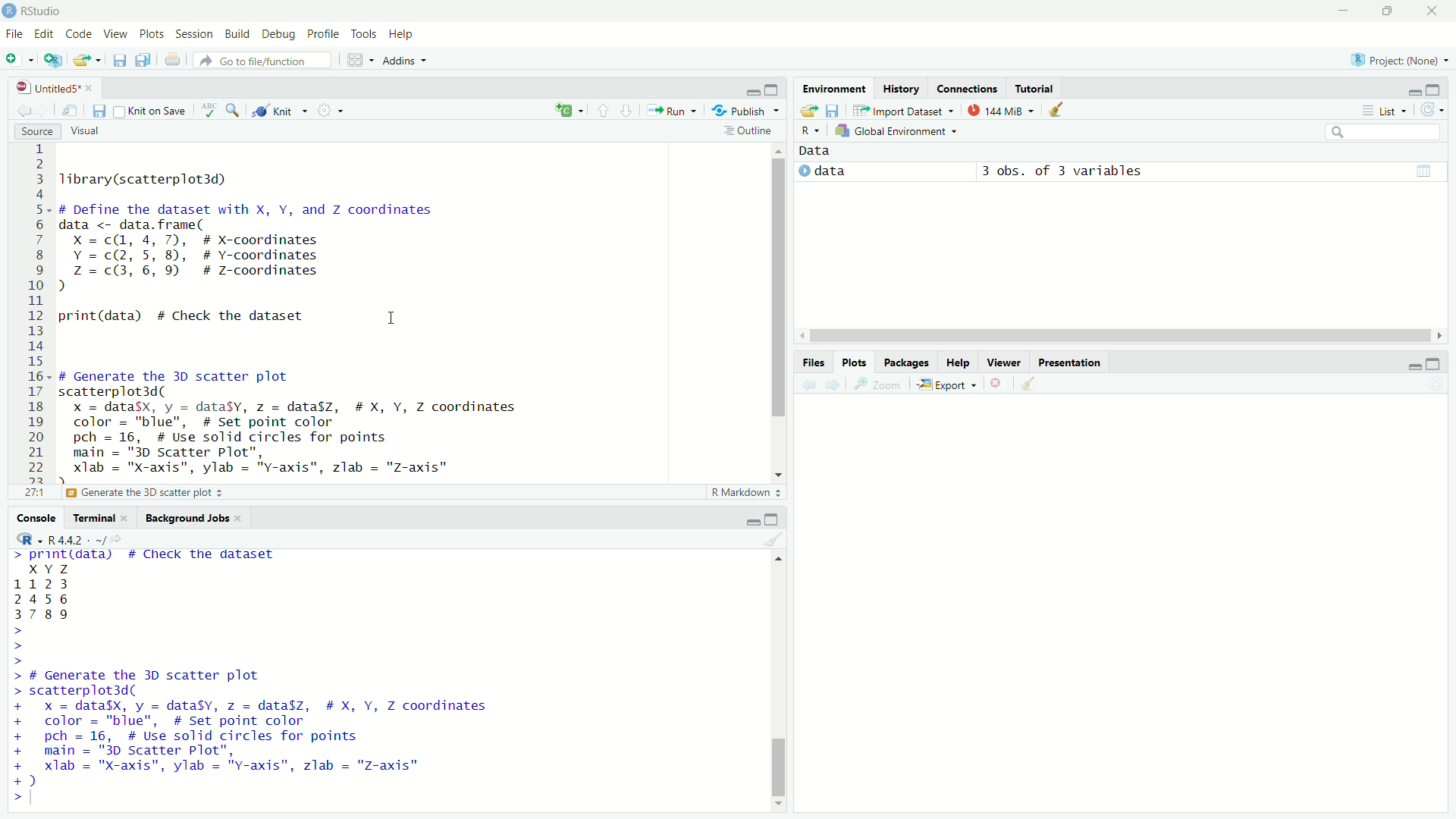  I want to click on List, so click(1388, 109).